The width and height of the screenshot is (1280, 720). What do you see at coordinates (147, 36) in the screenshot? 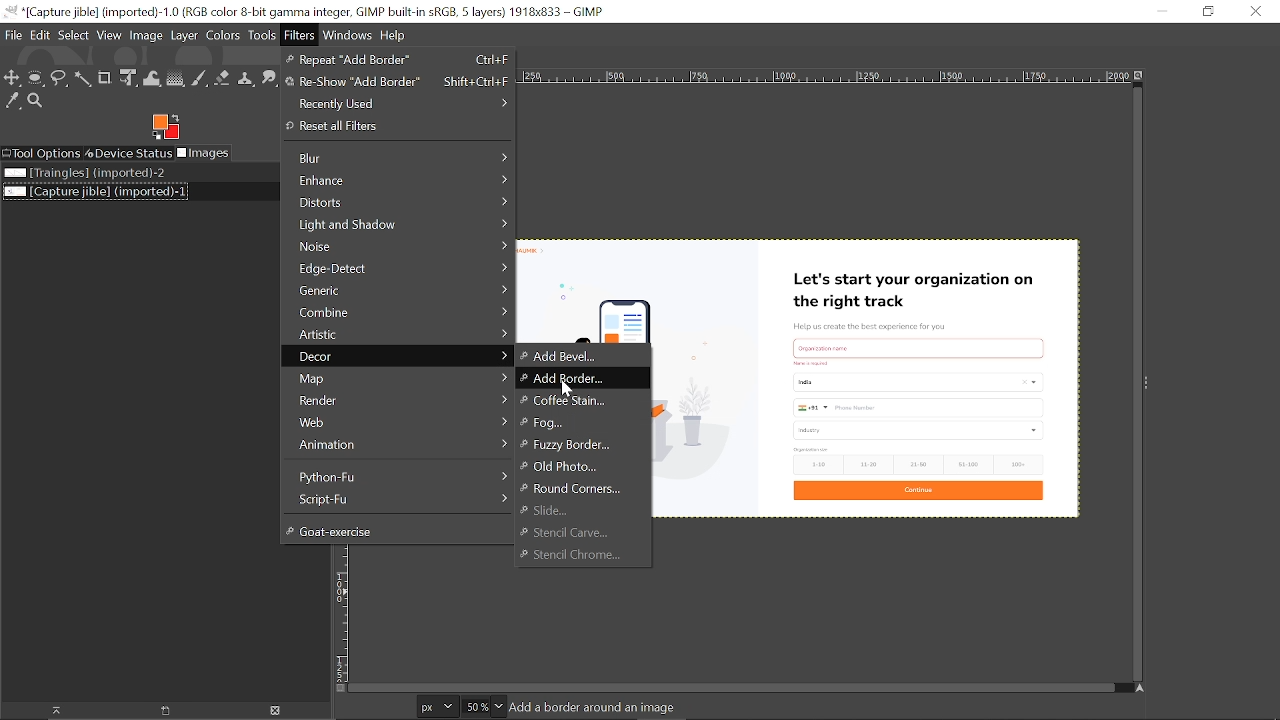
I see `Image` at bounding box center [147, 36].